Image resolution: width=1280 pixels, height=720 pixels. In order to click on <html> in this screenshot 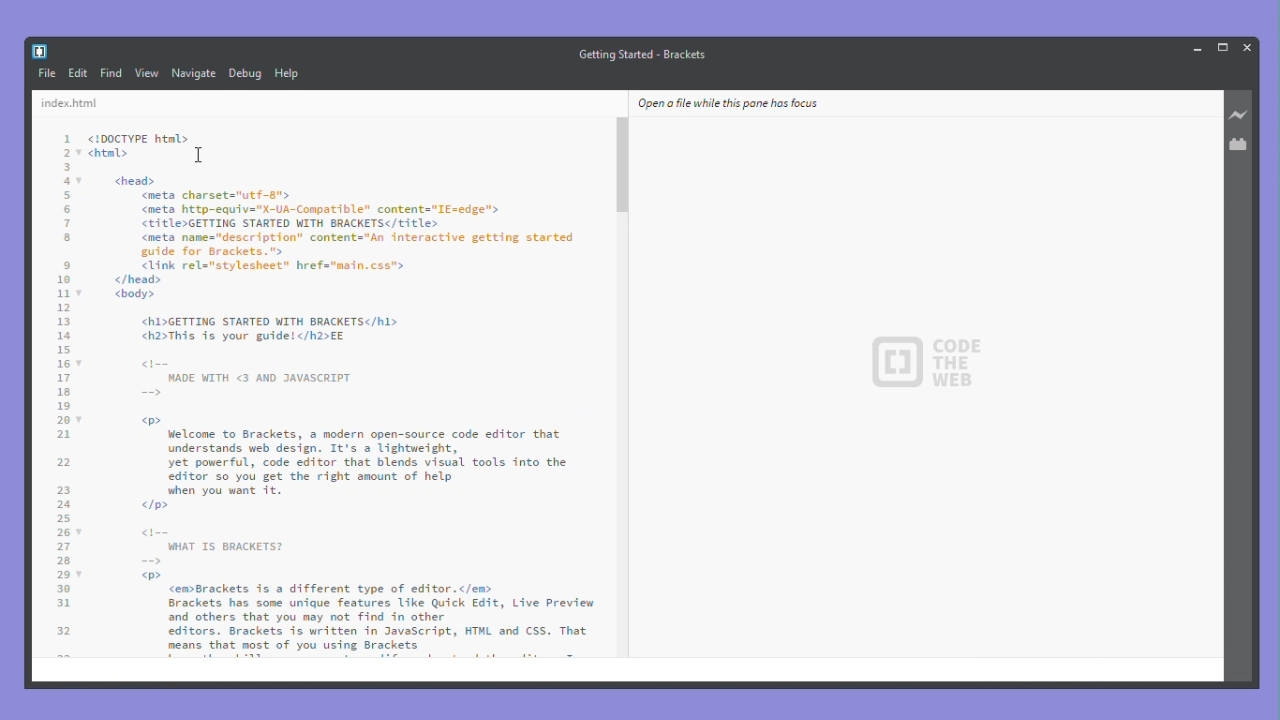, I will do `click(114, 154)`.